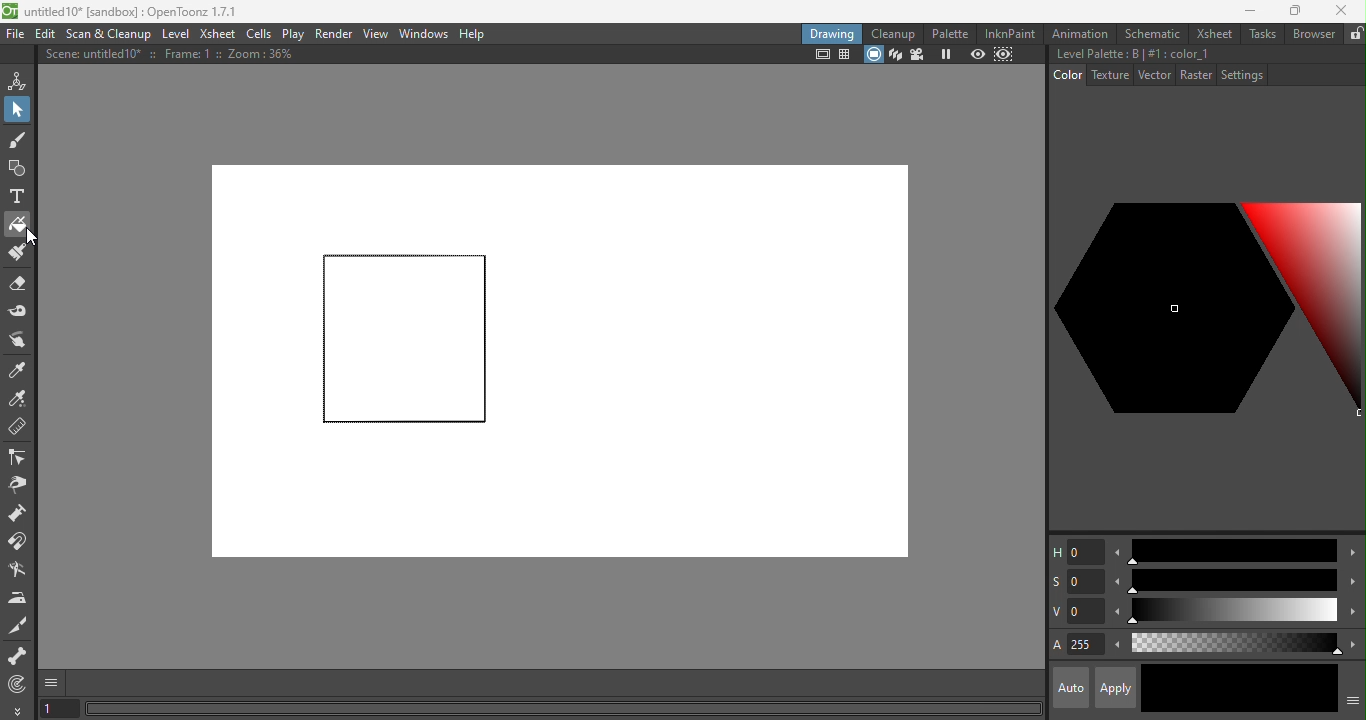 The width and height of the screenshot is (1366, 720). Describe the element at coordinates (1352, 555) in the screenshot. I see `Increase` at that location.